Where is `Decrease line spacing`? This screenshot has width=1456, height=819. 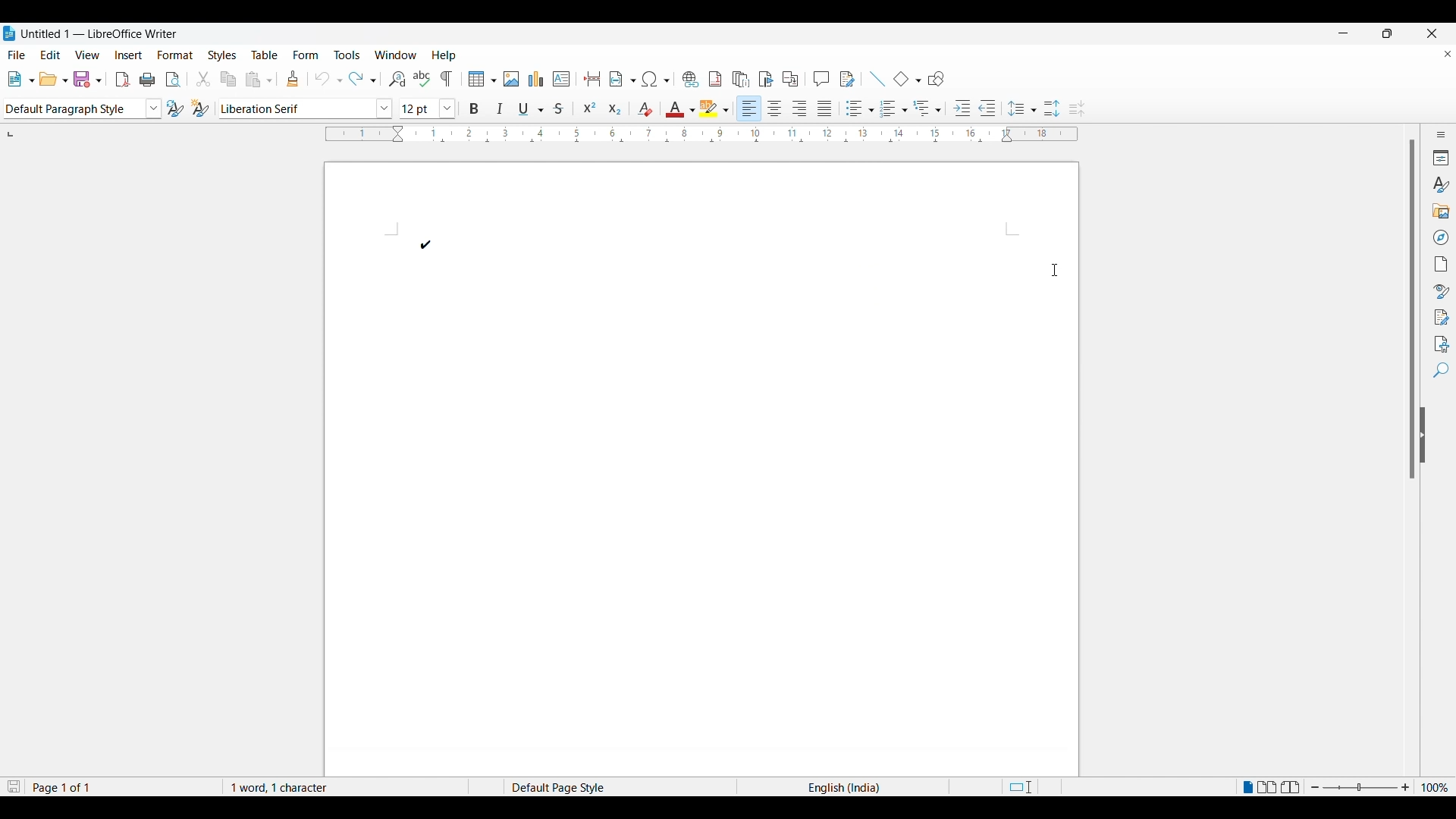
Decrease line spacing is located at coordinates (1081, 106).